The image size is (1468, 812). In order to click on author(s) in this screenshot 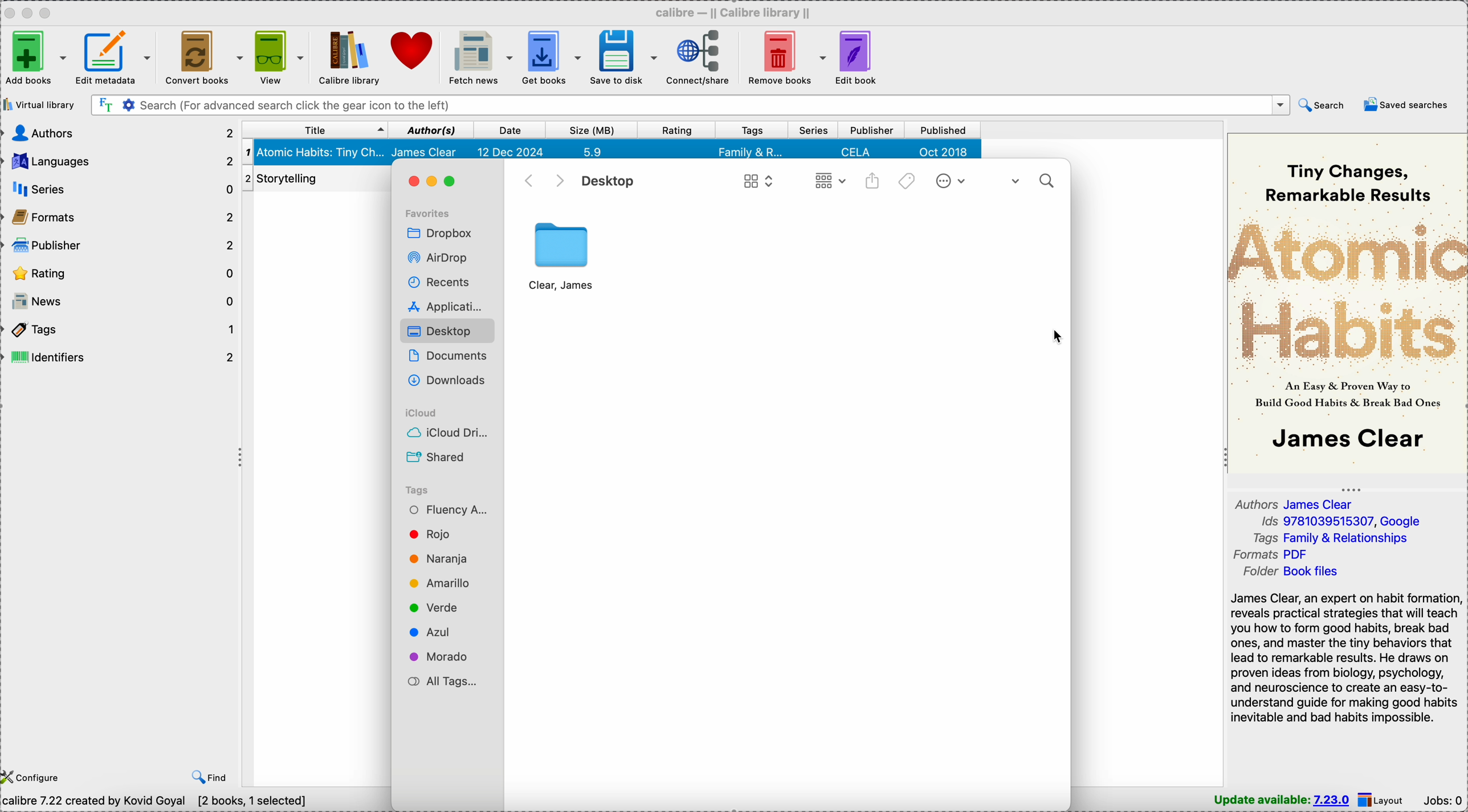, I will do `click(429, 129)`.